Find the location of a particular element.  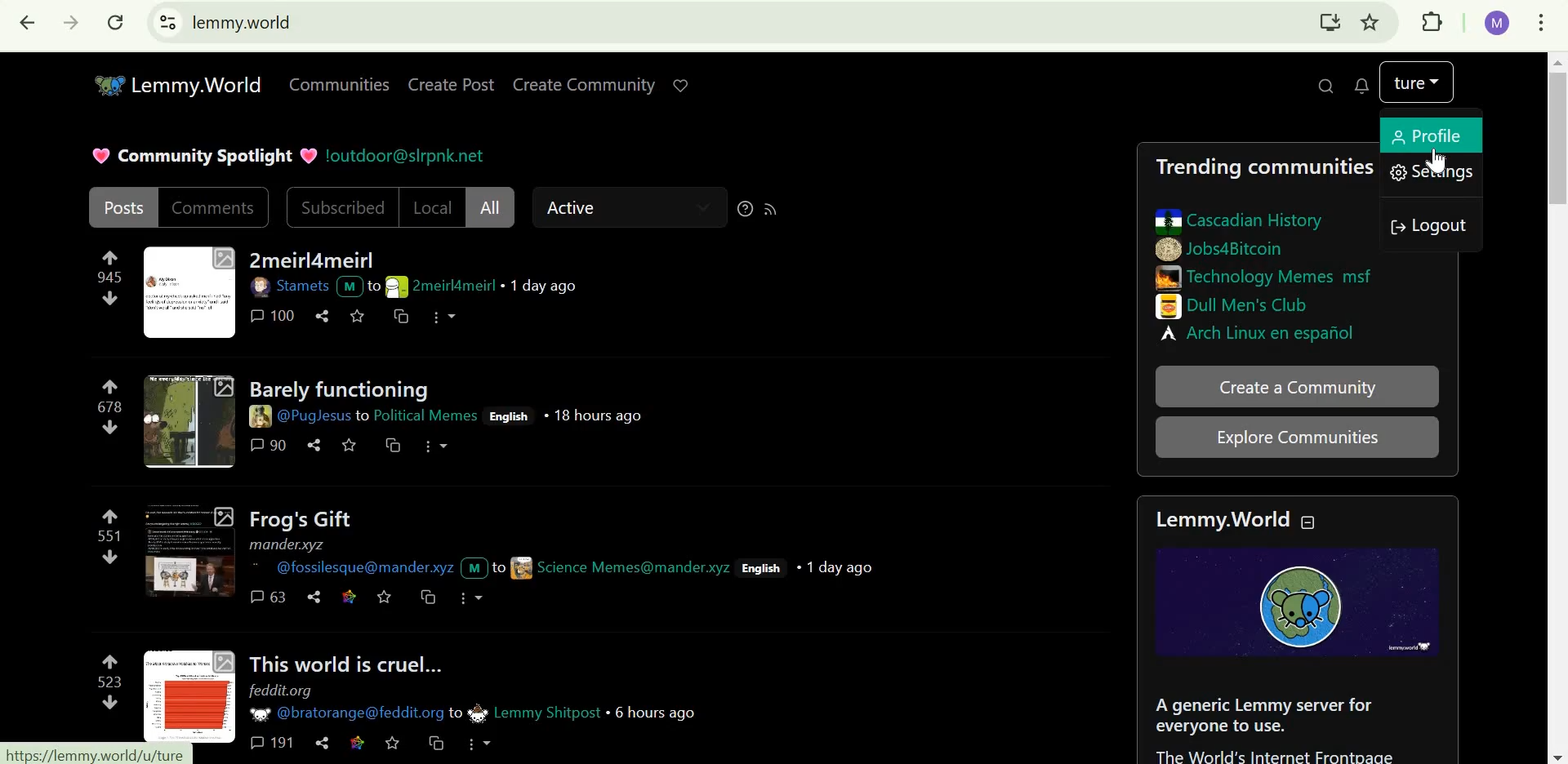

more is located at coordinates (480, 744).